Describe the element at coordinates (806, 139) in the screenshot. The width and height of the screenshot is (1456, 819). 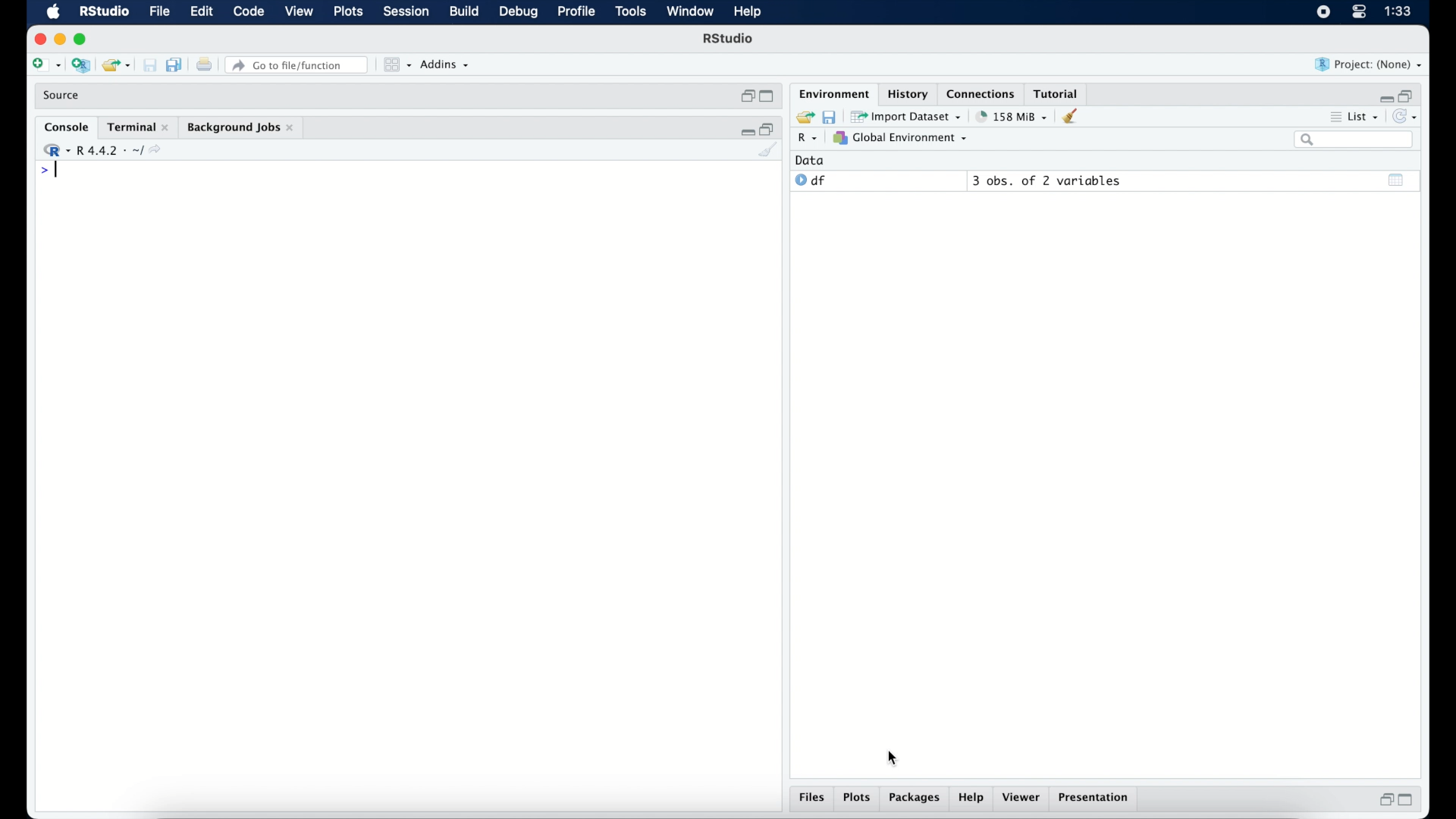
I see `R` at that location.